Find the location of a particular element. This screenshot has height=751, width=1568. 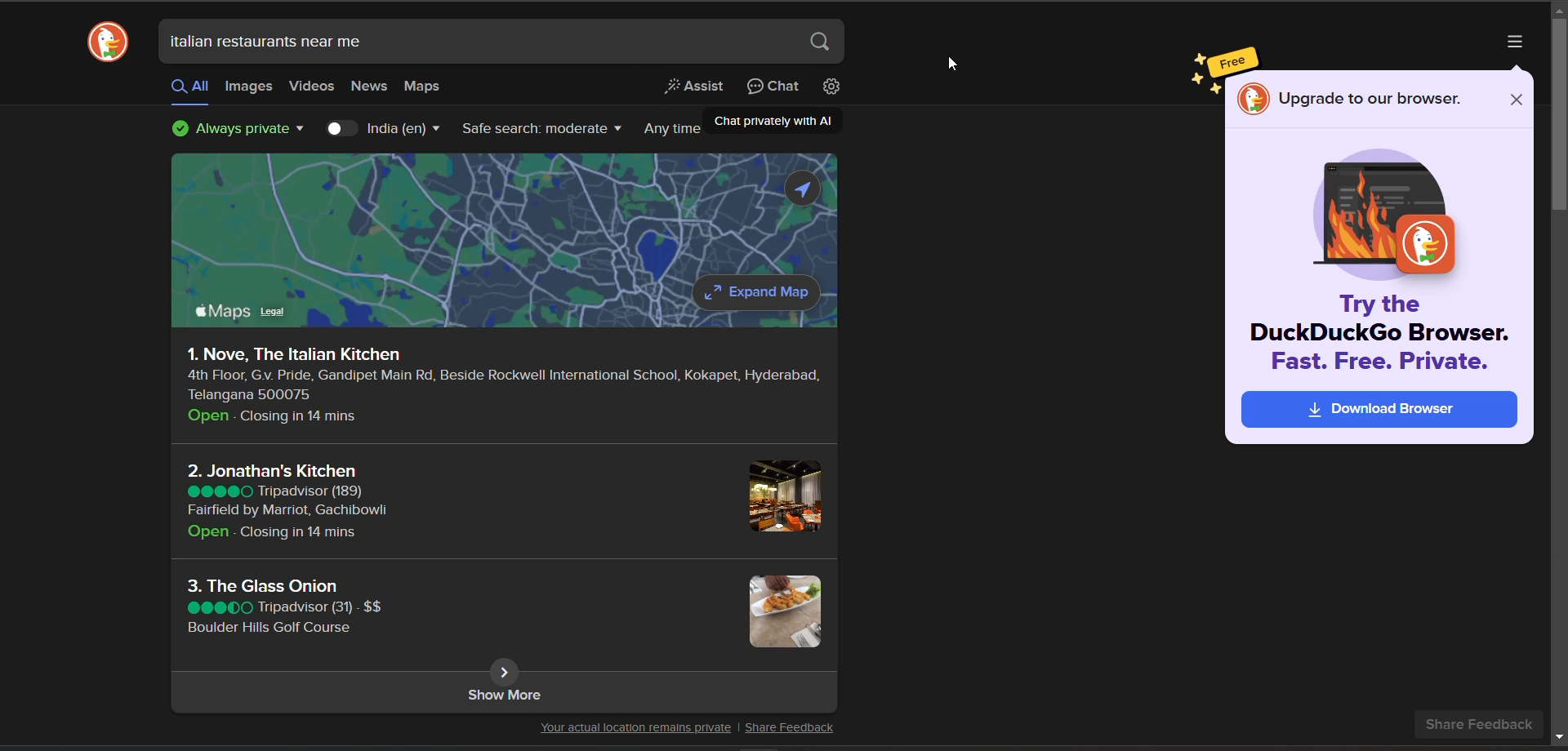

image of jonathan's kitchen is located at coordinates (781, 495).